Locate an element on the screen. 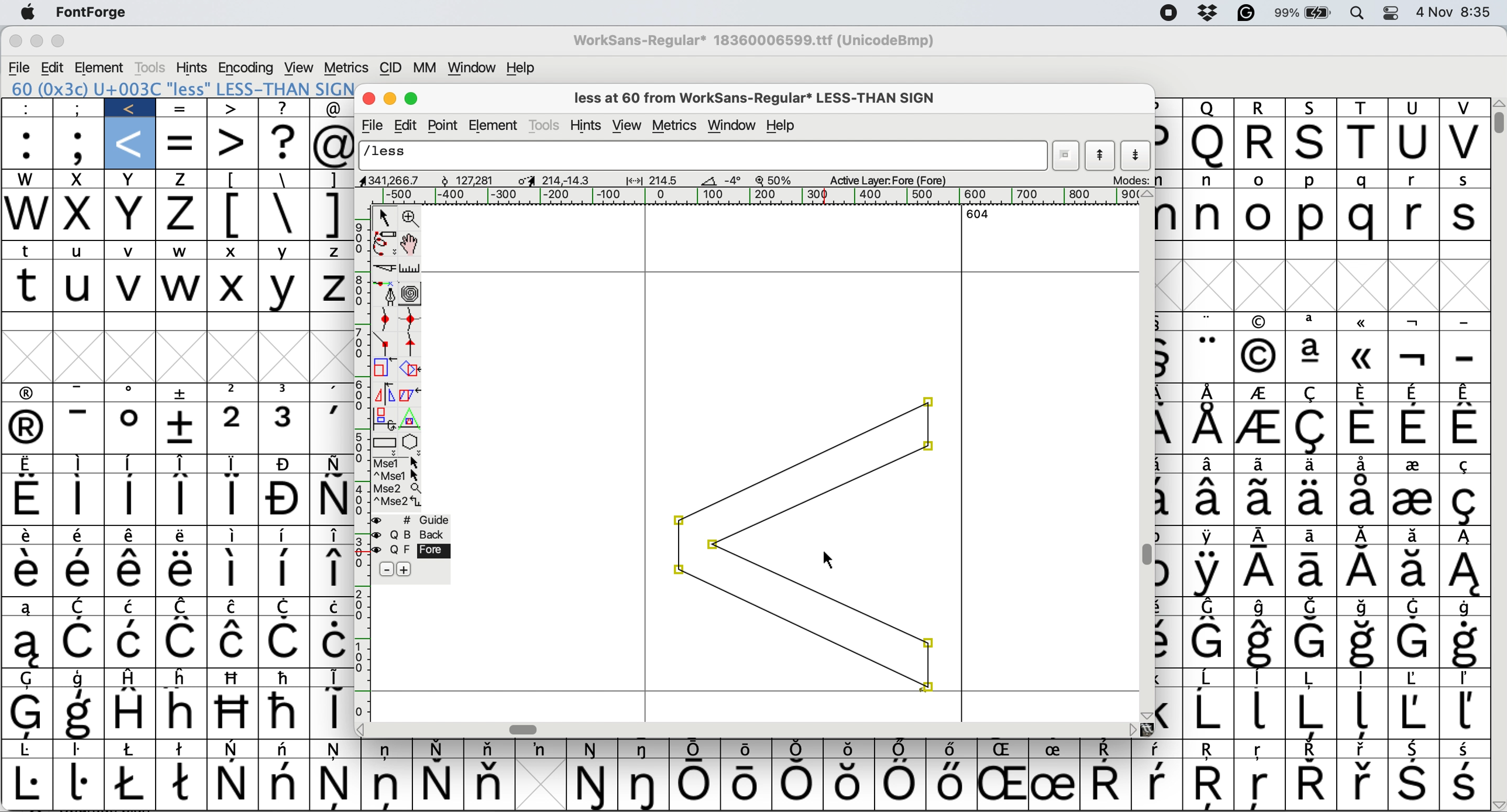  Symbol is located at coordinates (285, 677).